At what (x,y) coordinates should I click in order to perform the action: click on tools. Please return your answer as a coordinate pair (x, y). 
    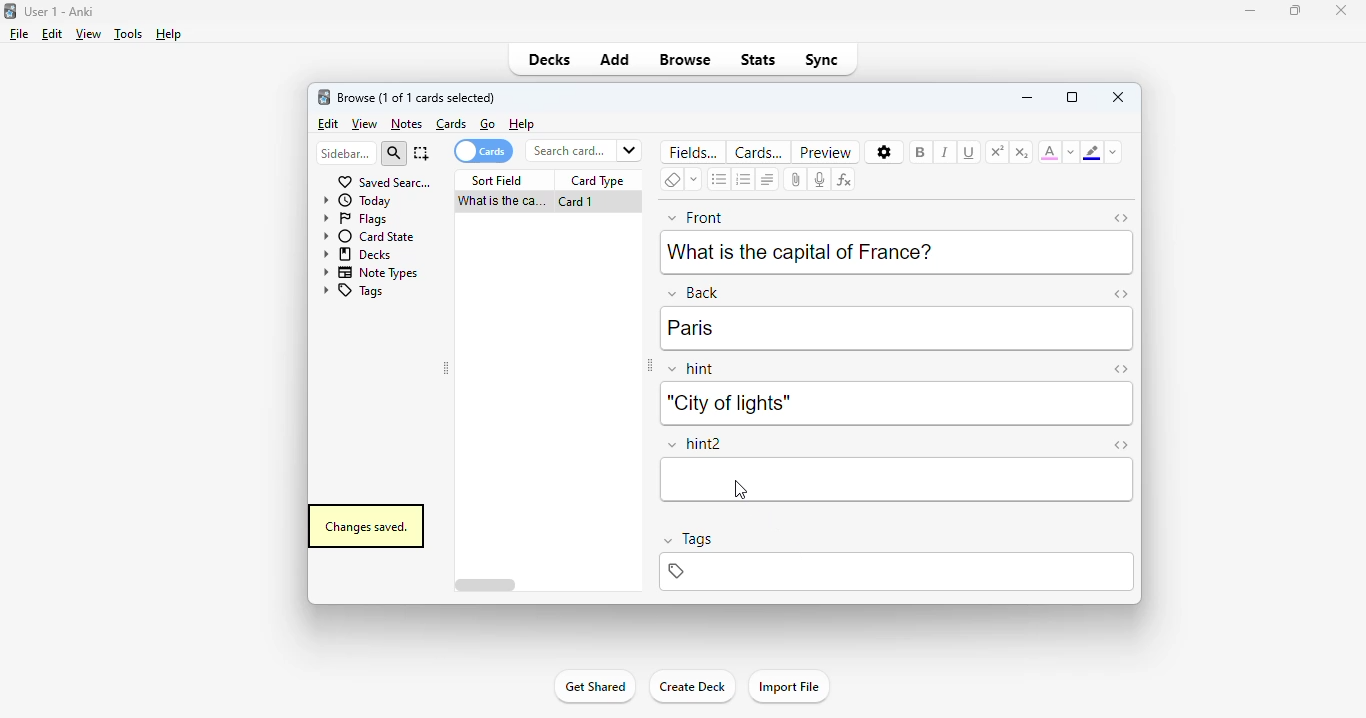
    Looking at the image, I should click on (129, 34).